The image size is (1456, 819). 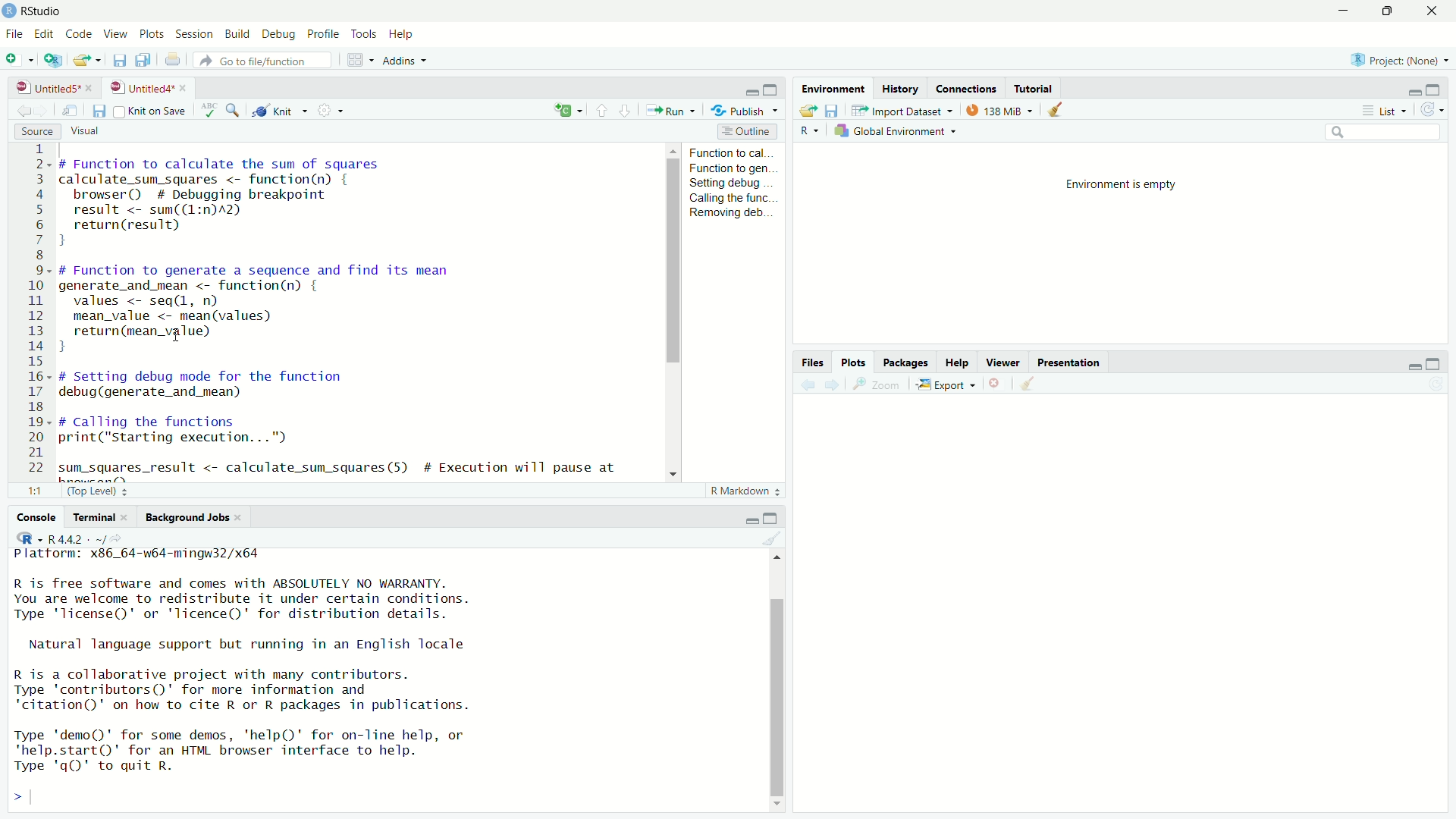 What do you see at coordinates (363, 33) in the screenshot?
I see `tools` at bounding box center [363, 33].